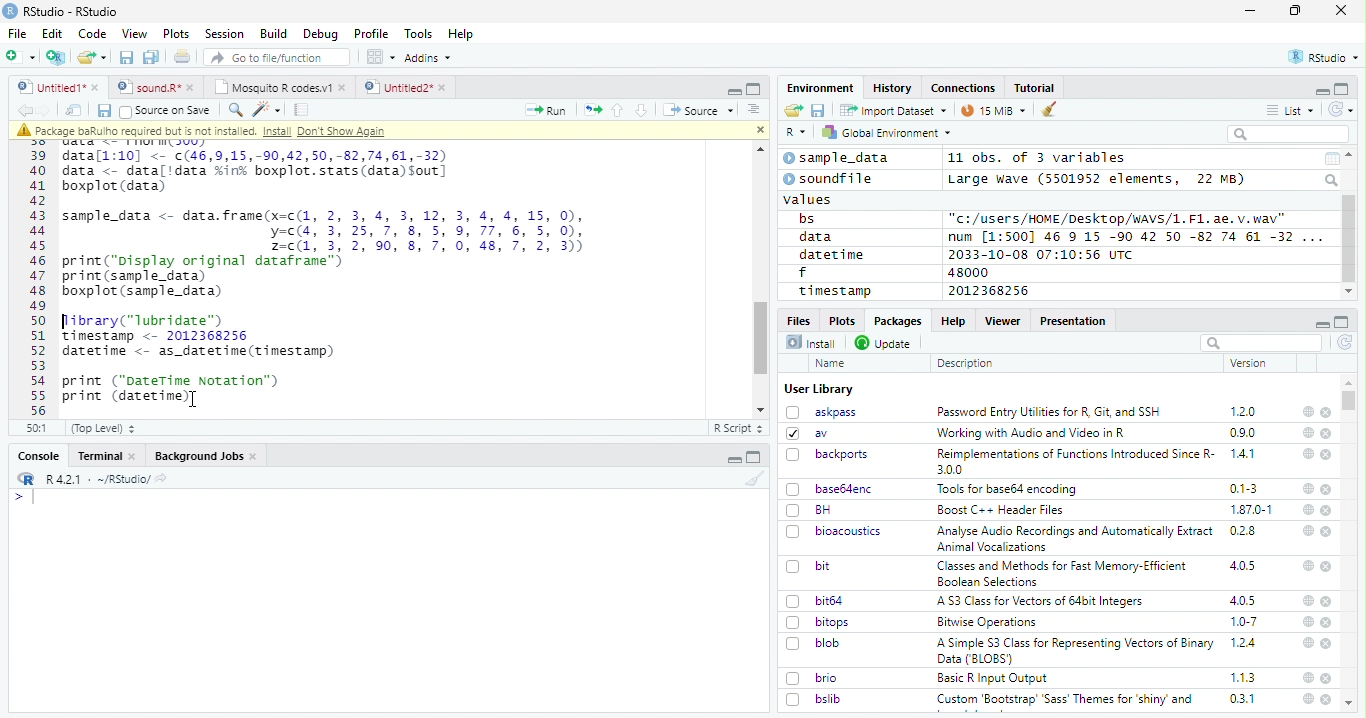  I want to click on close, so click(1327, 678).